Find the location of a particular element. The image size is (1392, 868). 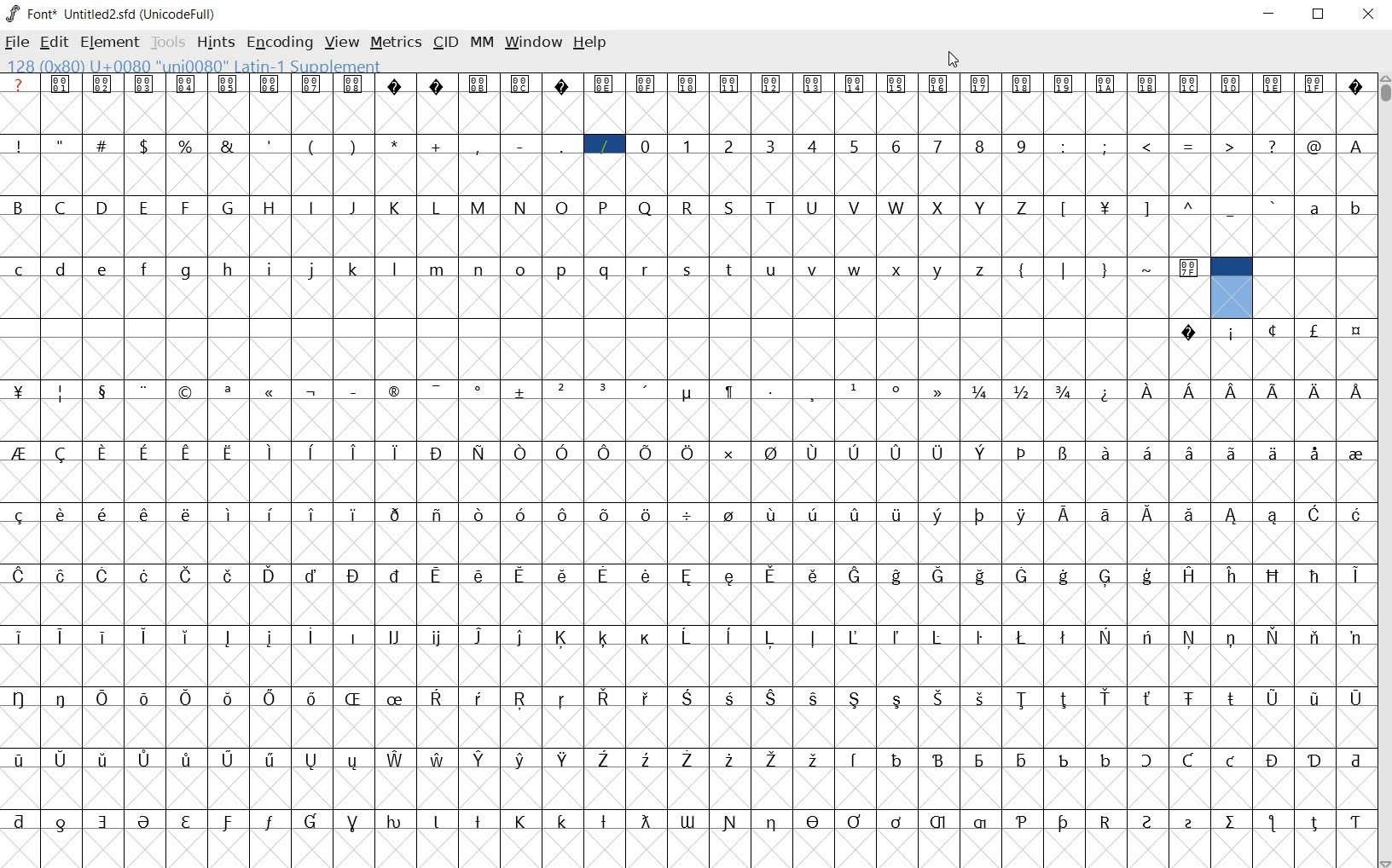

Symbol is located at coordinates (1230, 821).